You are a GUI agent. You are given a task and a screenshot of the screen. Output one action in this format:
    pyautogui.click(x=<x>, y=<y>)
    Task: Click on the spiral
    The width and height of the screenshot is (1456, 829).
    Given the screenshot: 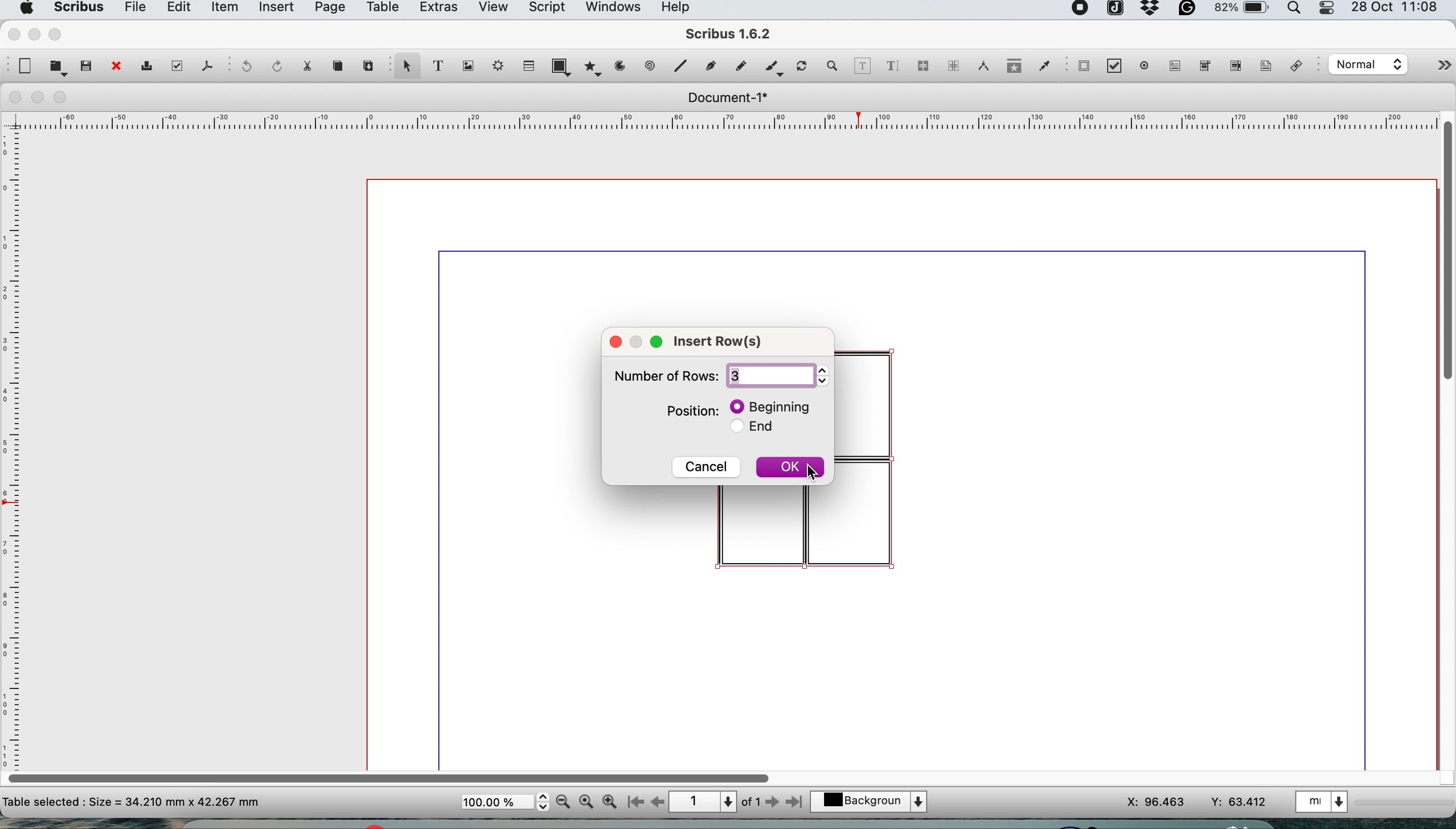 What is the action you would take?
    pyautogui.click(x=651, y=65)
    